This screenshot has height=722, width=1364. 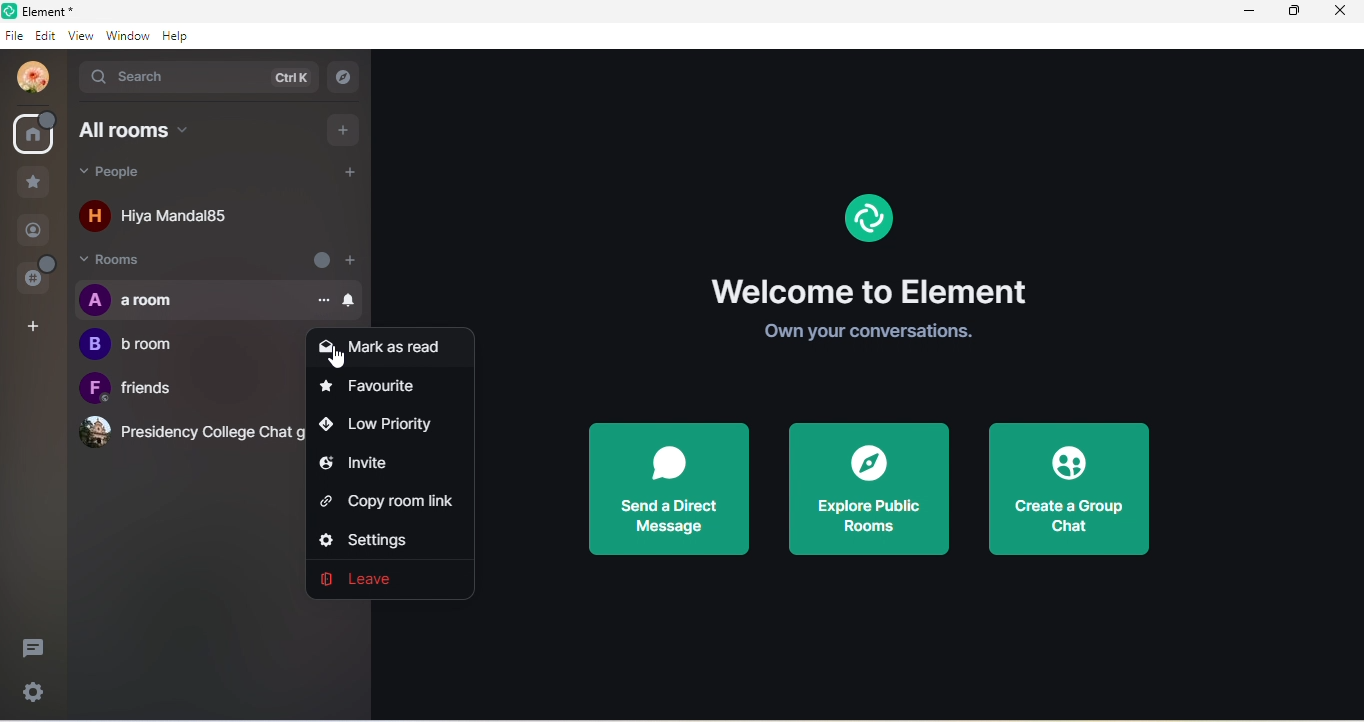 I want to click on unread sign, so click(x=34, y=133).